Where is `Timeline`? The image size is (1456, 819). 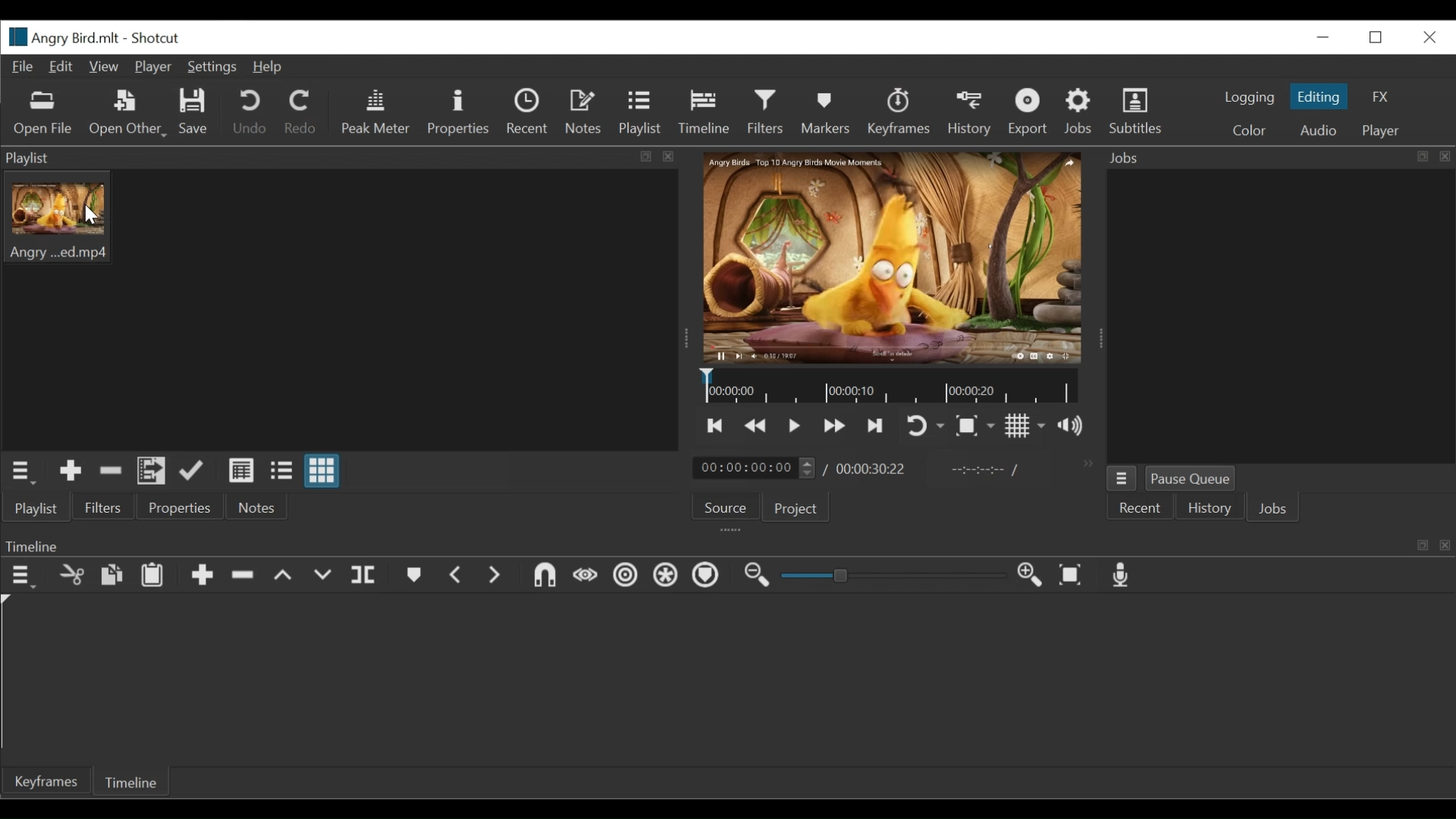
Timeline is located at coordinates (890, 387).